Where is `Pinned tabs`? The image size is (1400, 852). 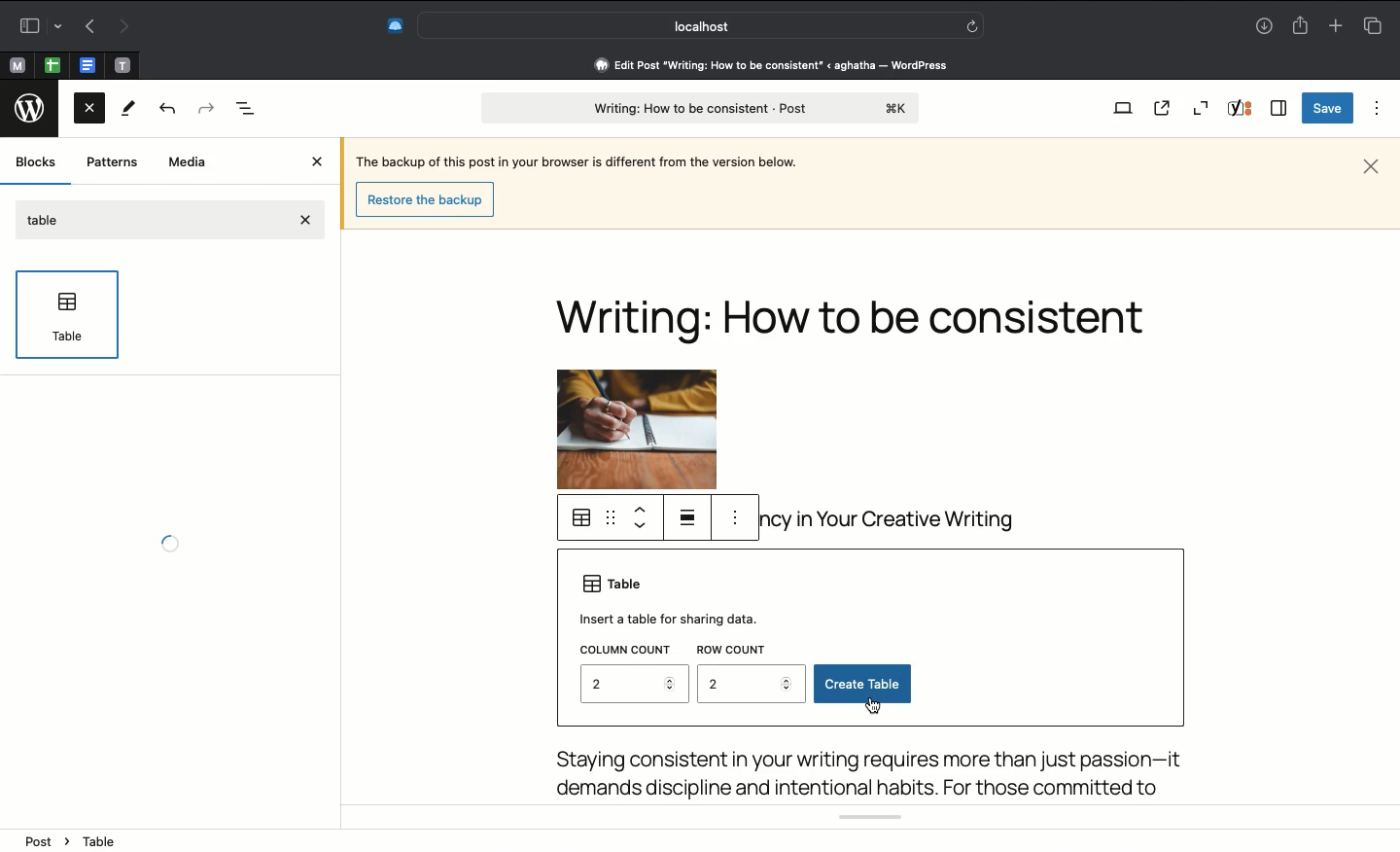 Pinned tabs is located at coordinates (52, 64).